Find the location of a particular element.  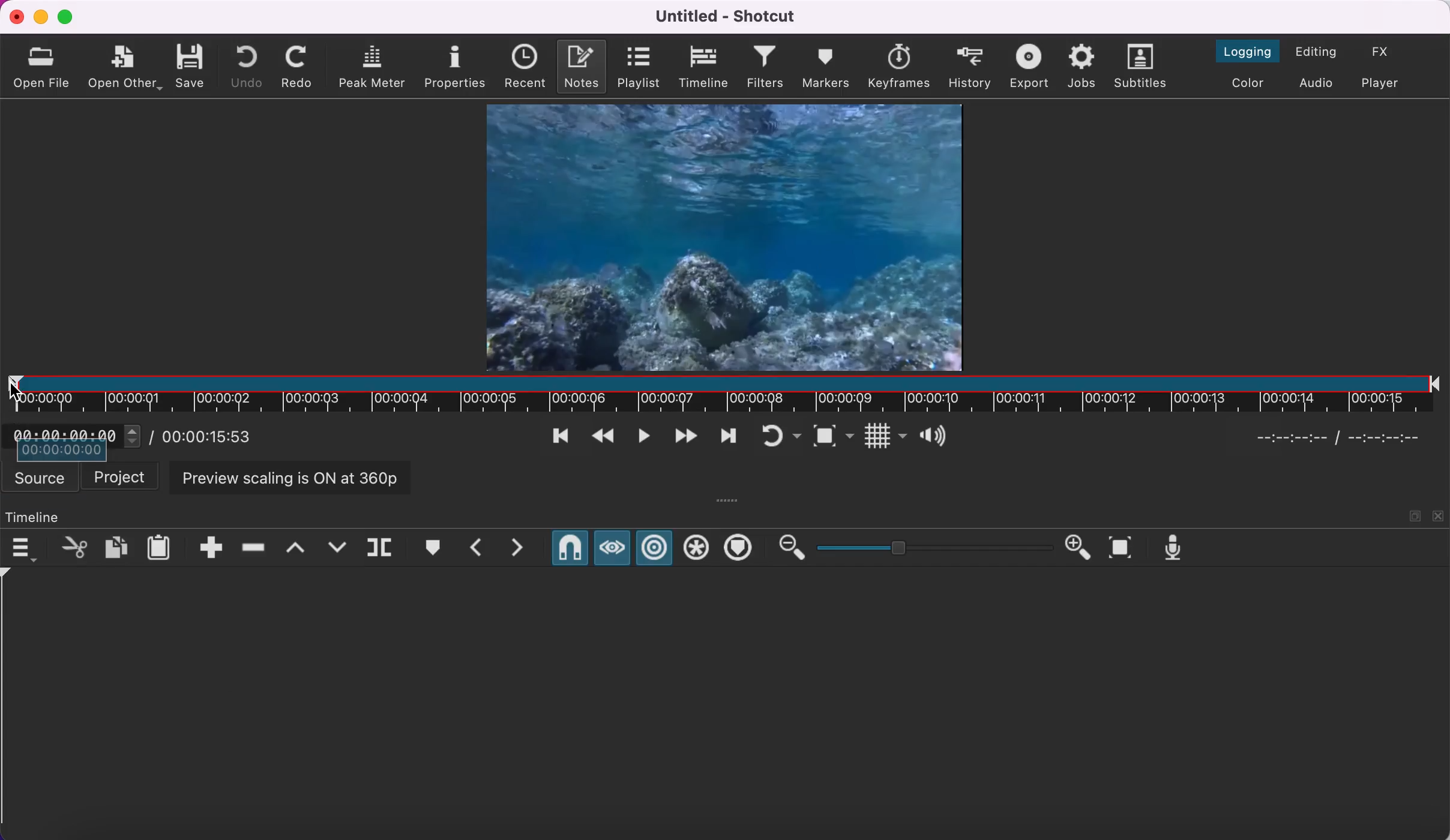

playlist is located at coordinates (640, 68).